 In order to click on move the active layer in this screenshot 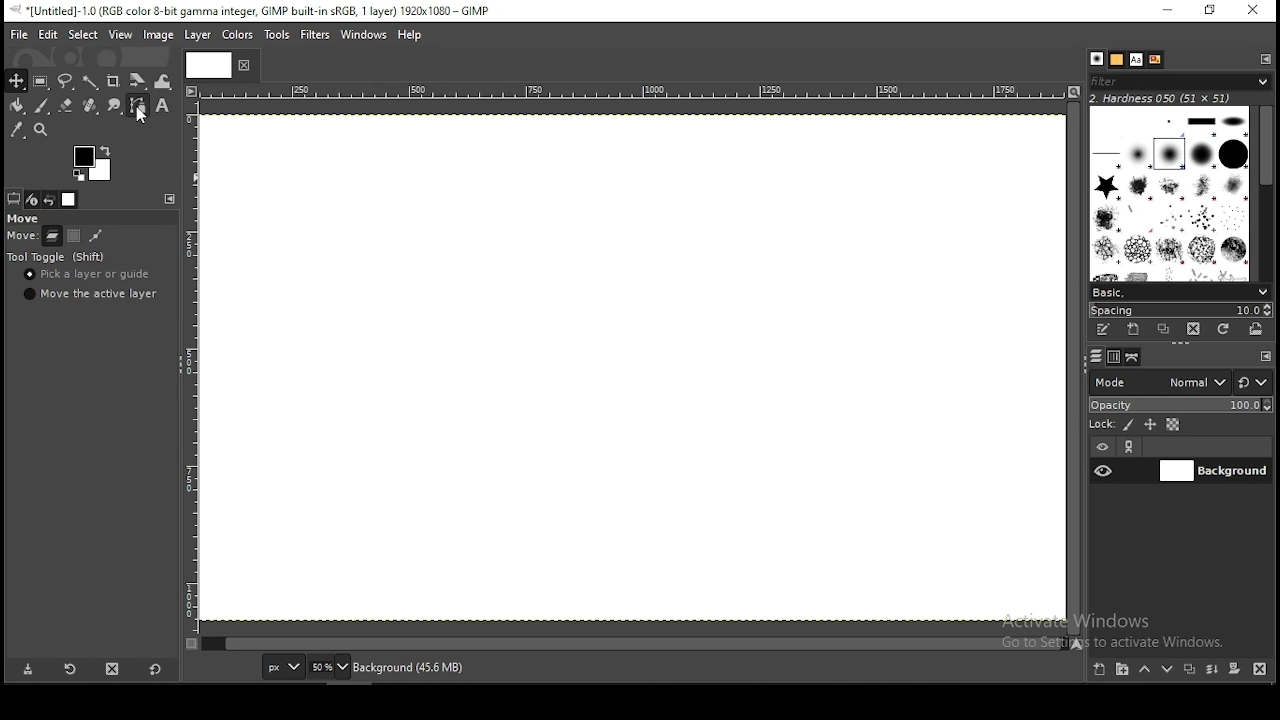, I will do `click(88, 296)`.